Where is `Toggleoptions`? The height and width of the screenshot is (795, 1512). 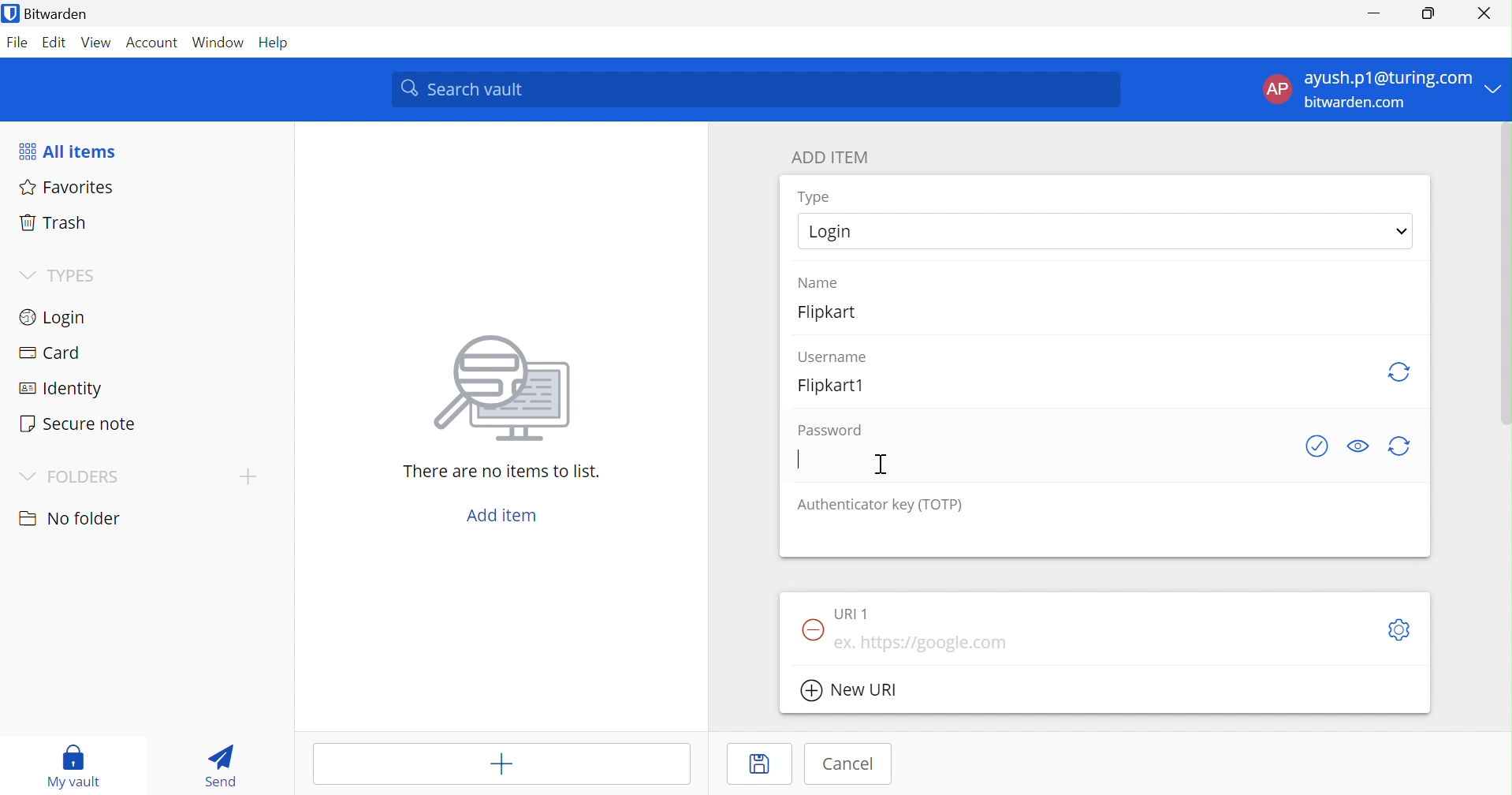
Toggleoptions is located at coordinates (1397, 629).